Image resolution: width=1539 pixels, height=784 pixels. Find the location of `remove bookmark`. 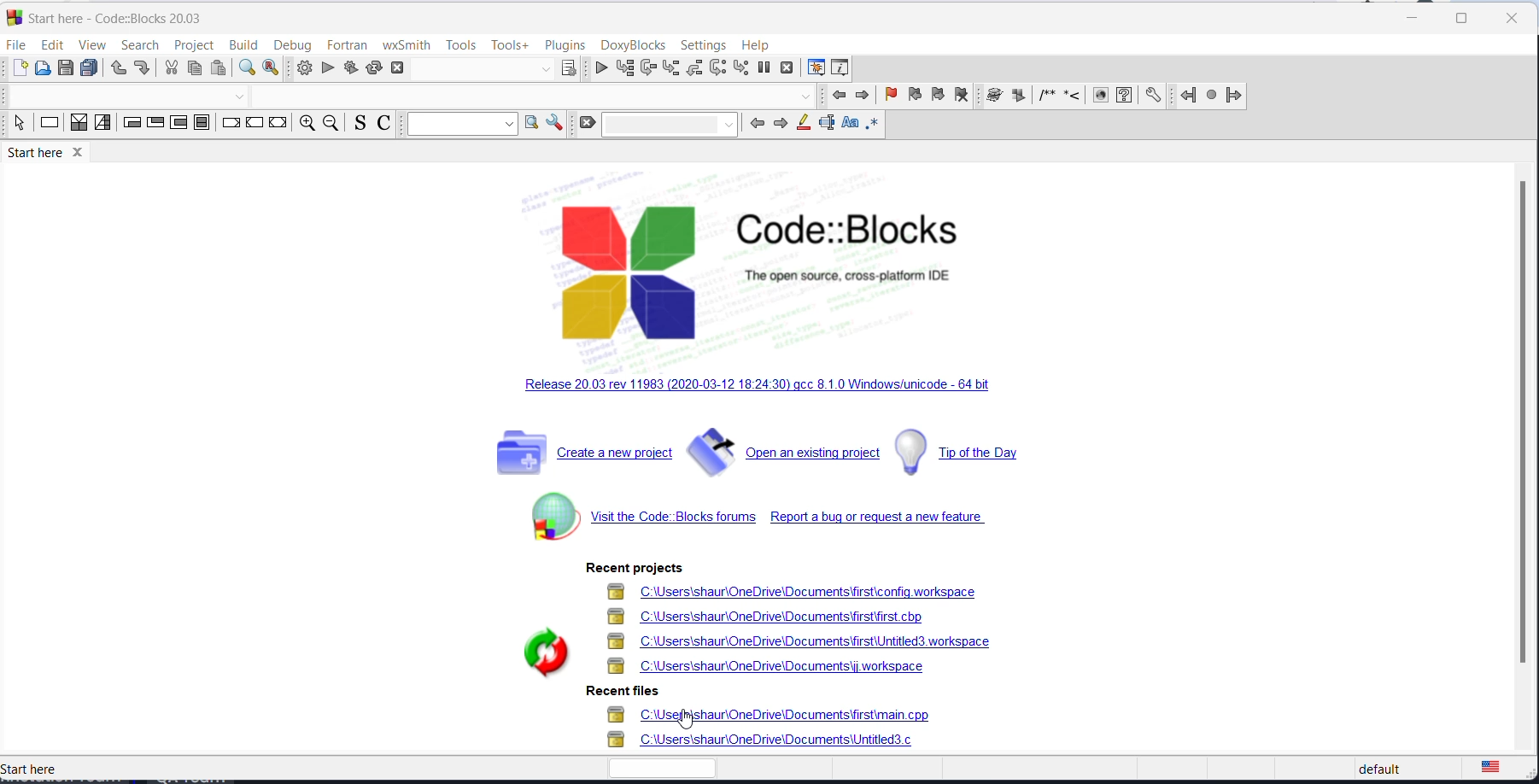

remove bookmark is located at coordinates (963, 97).